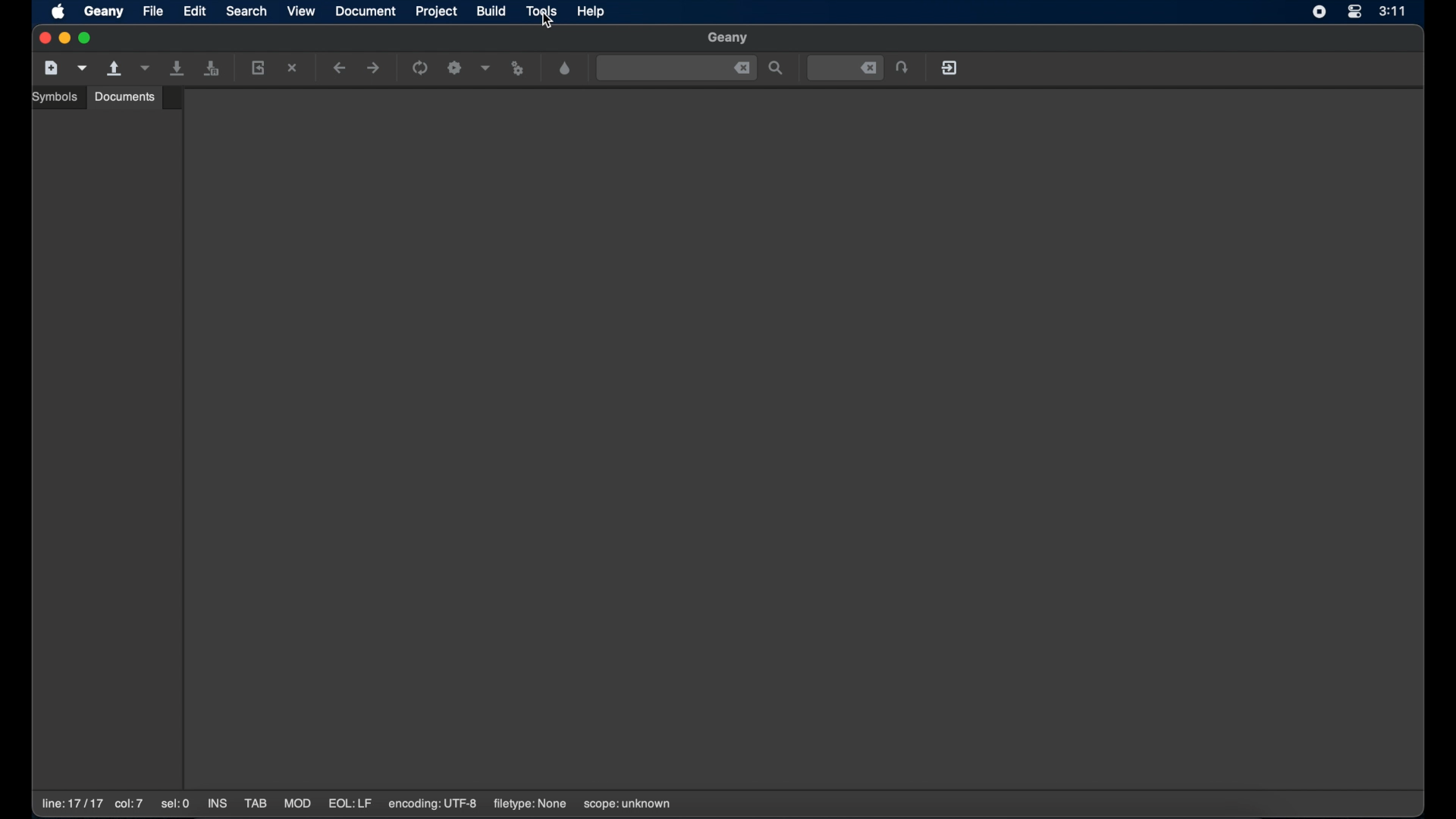 Image resolution: width=1456 pixels, height=819 pixels. I want to click on encoding: UTF-8, so click(433, 804).